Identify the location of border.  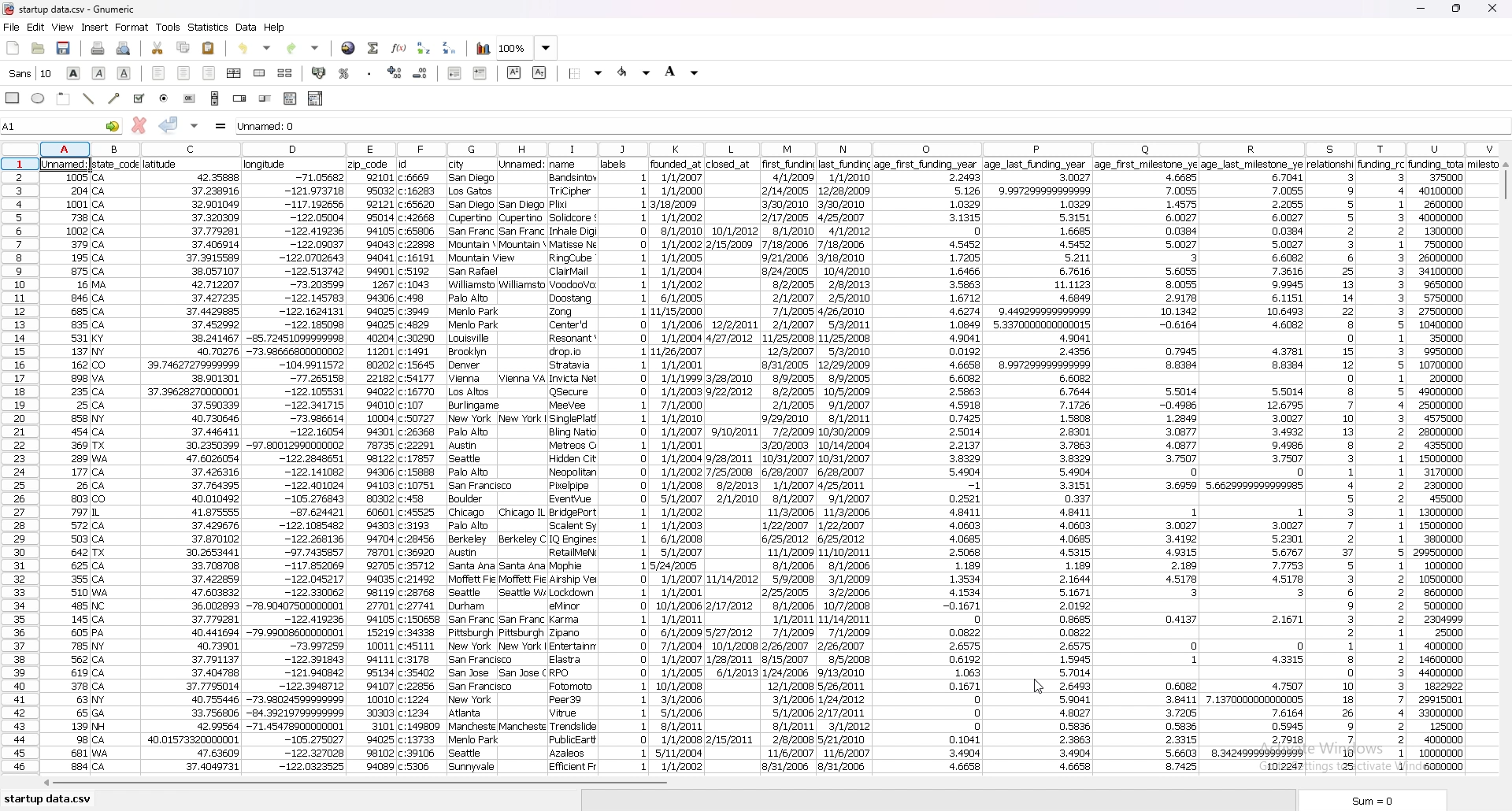
(587, 72).